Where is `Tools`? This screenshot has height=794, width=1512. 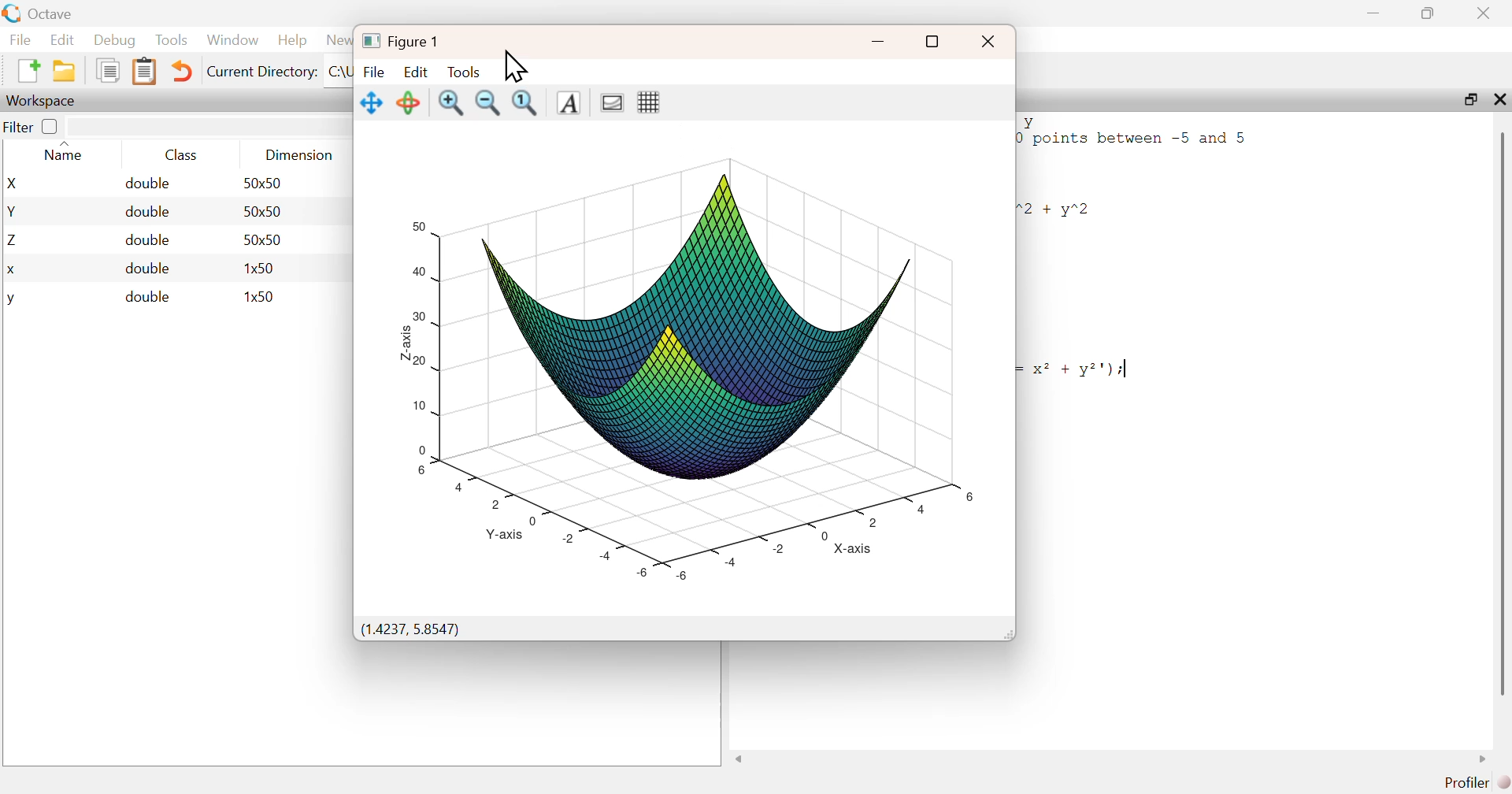 Tools is located at coordinates (465, 72).